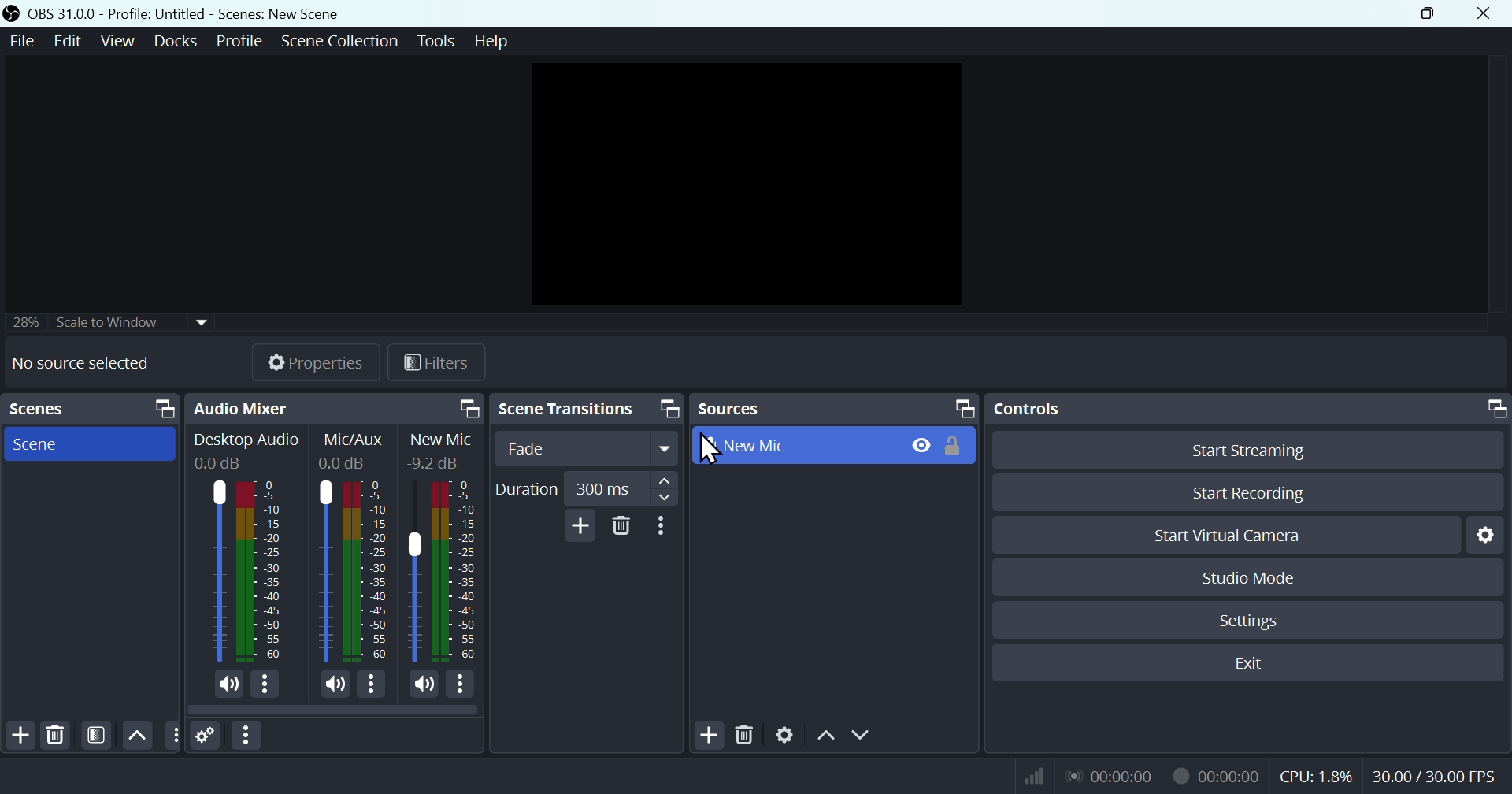  I want to click on up, so click(825, 737).